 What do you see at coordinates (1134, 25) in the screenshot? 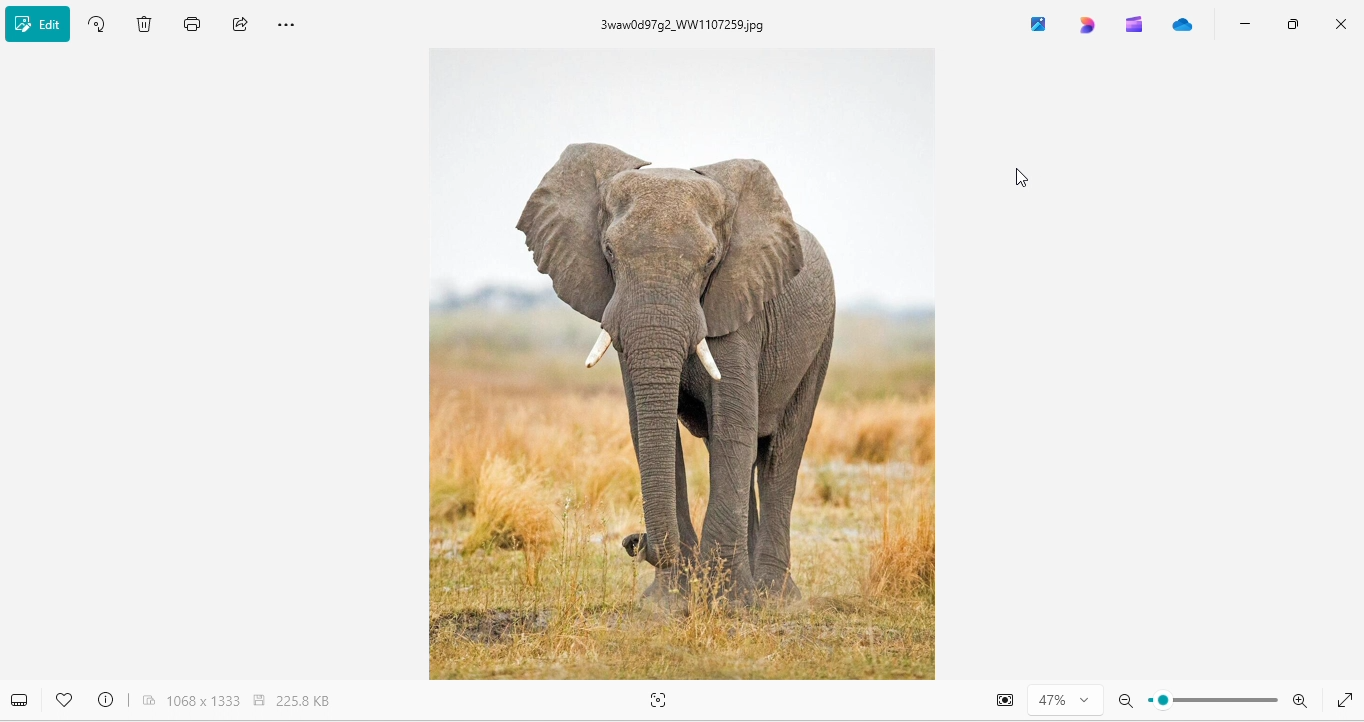
I see `create a video` at bounding box center [1134, 25].